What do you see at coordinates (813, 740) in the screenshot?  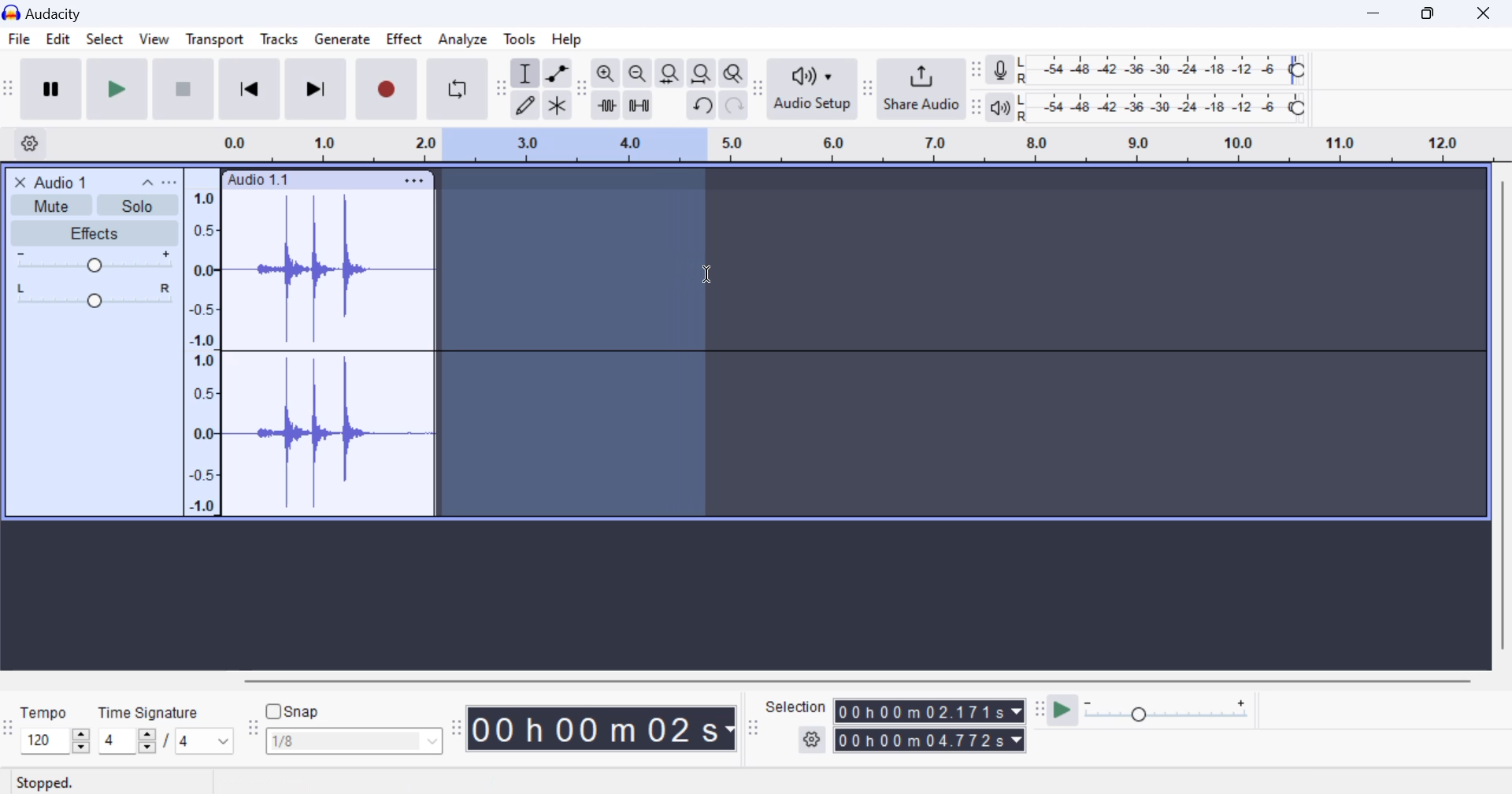 I see `settings` at bounding box center [813, 740].